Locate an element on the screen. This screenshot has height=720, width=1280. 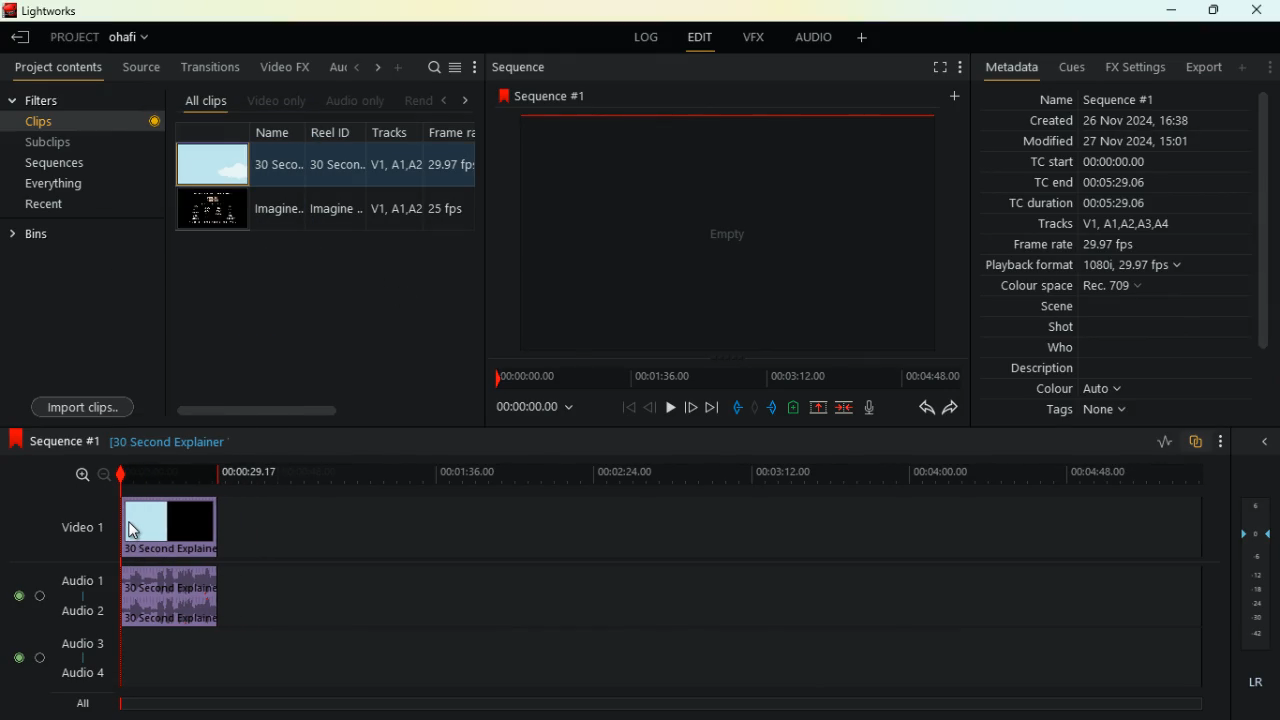
close is located at coordinates (1260, 10).